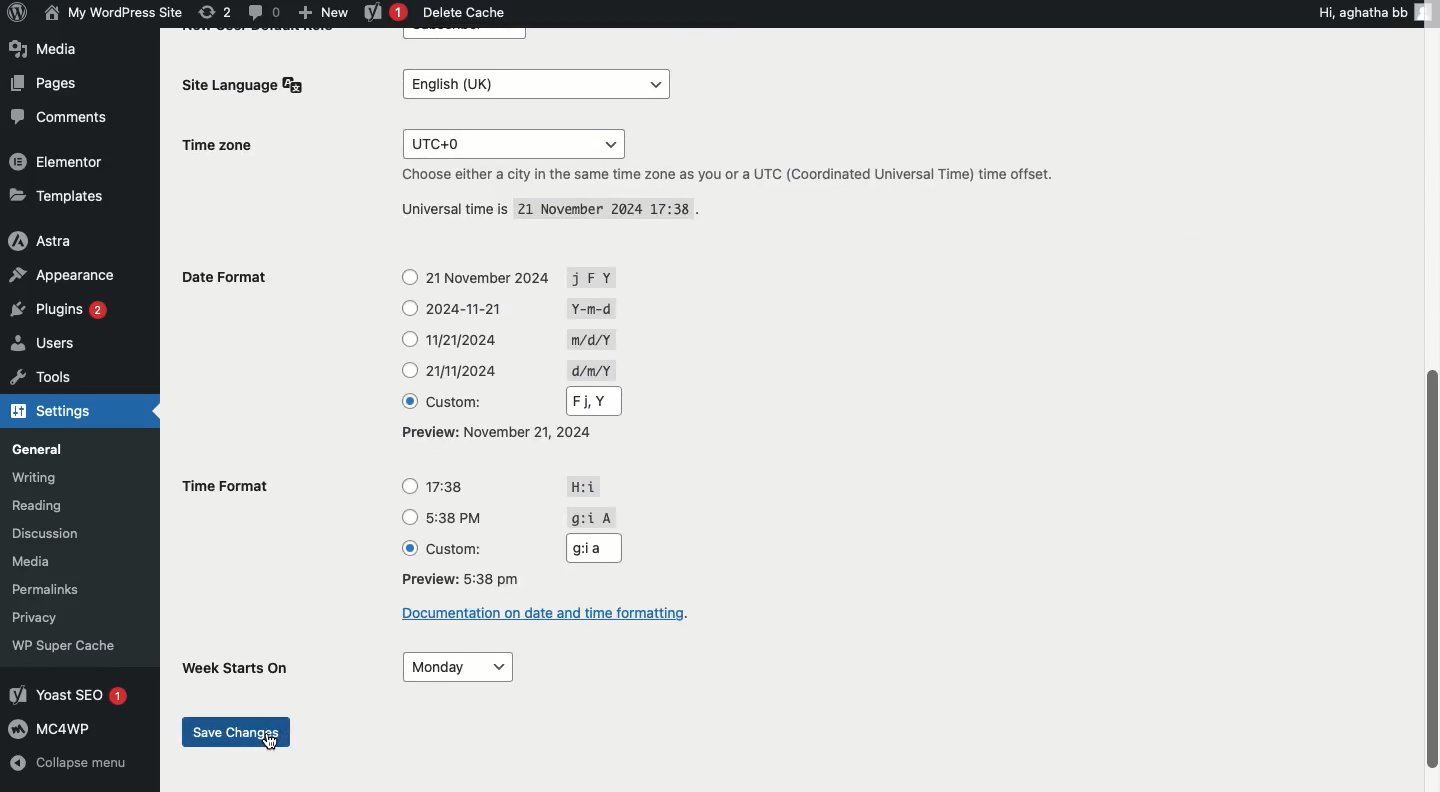 Image resolution: width=1440 pixels, height=792 pixels. What do you see at coordinates (73, 646) in the screenshot?
I see `WP Super Cache` at bounding box center [73, 646].